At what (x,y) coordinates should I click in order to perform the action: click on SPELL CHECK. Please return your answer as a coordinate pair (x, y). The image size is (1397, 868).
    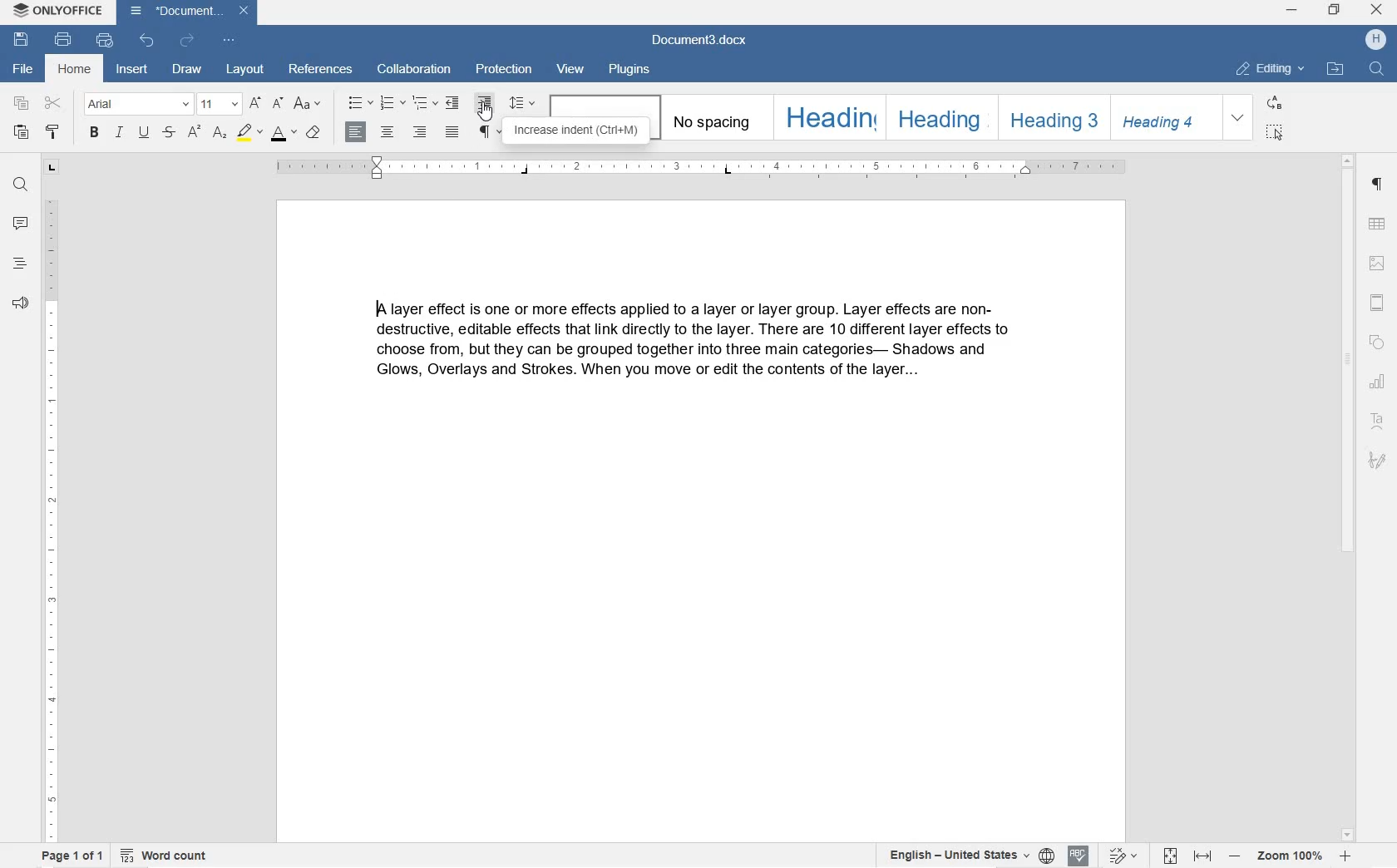
    Looking at the image, I should click on (1080, 855).